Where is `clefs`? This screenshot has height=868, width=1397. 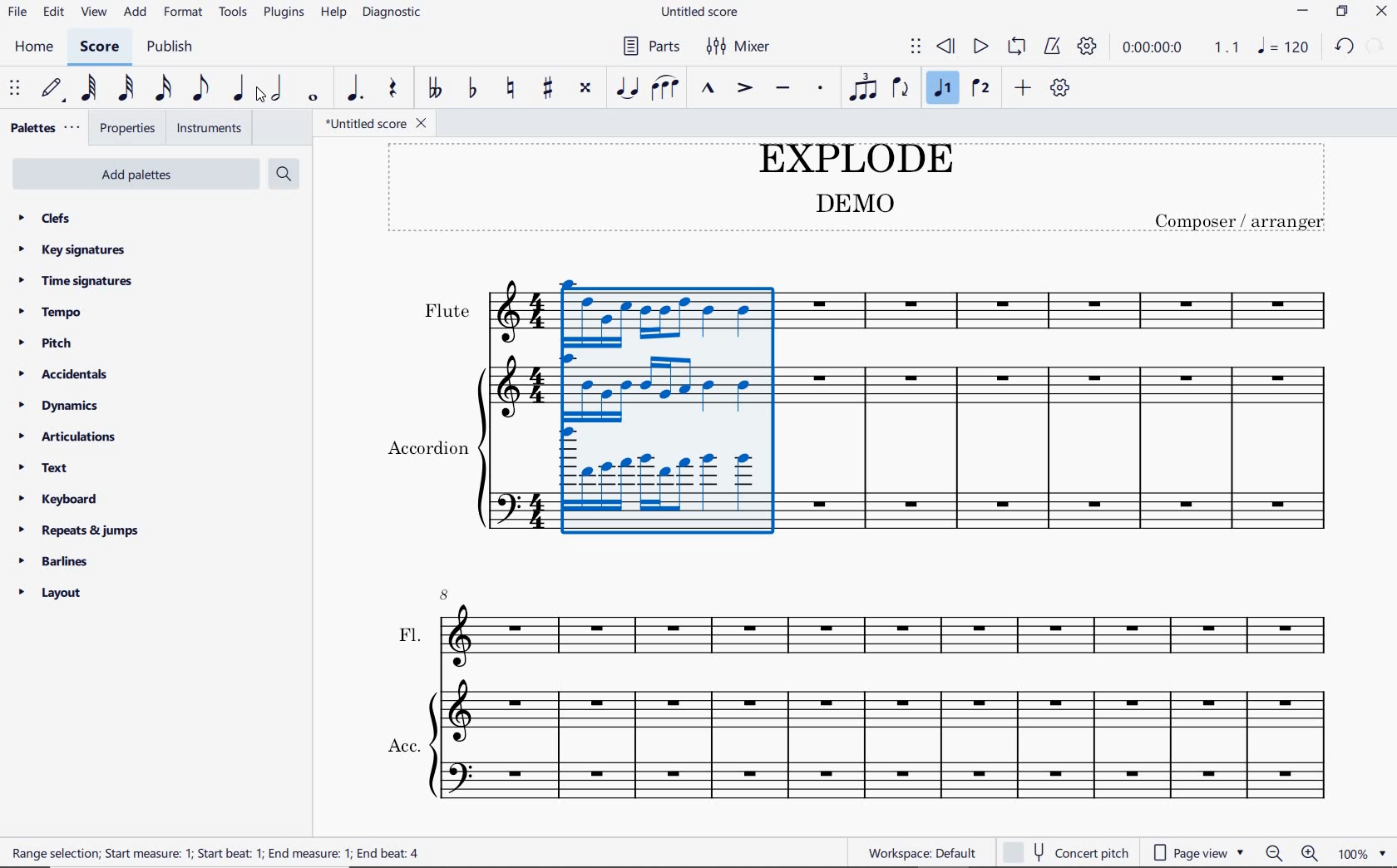
clefs is located at coordinates (45, 217).